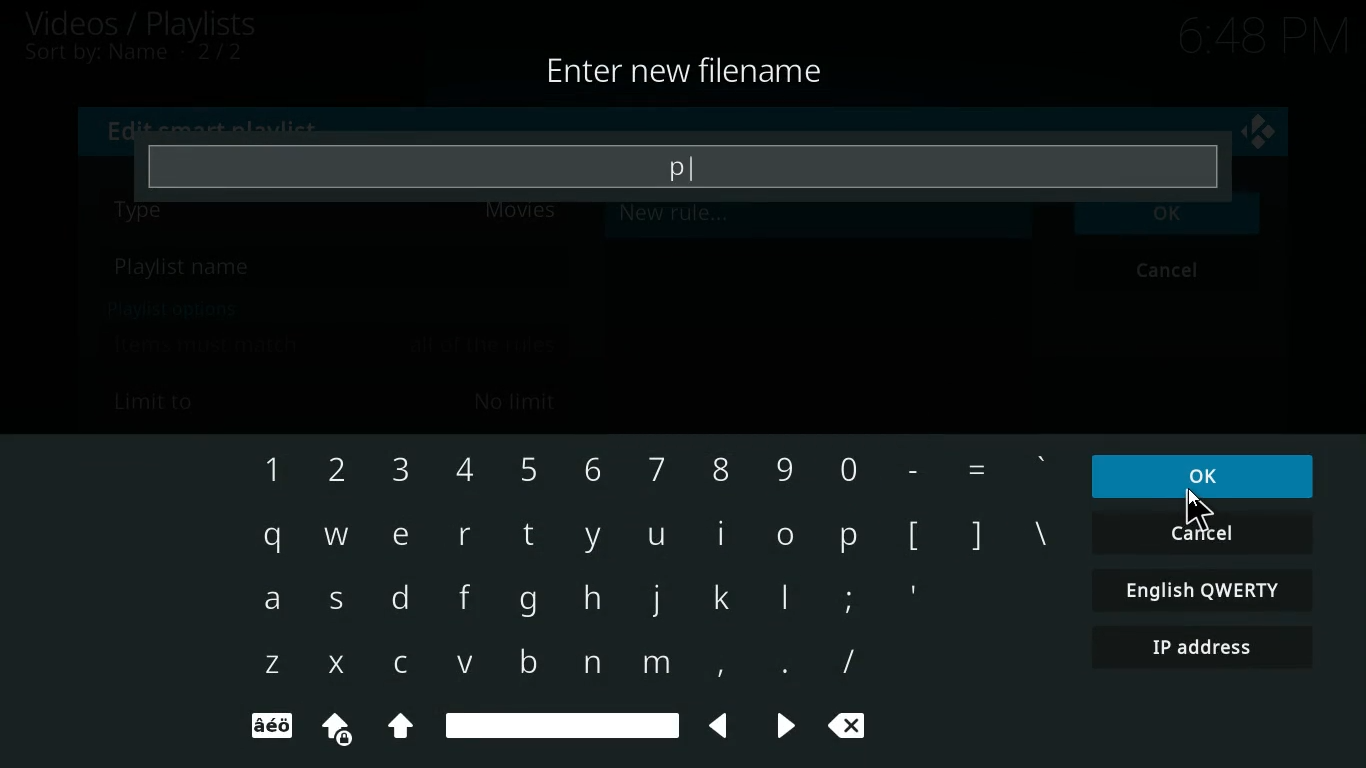  I want to click on t, so click(527, 534).